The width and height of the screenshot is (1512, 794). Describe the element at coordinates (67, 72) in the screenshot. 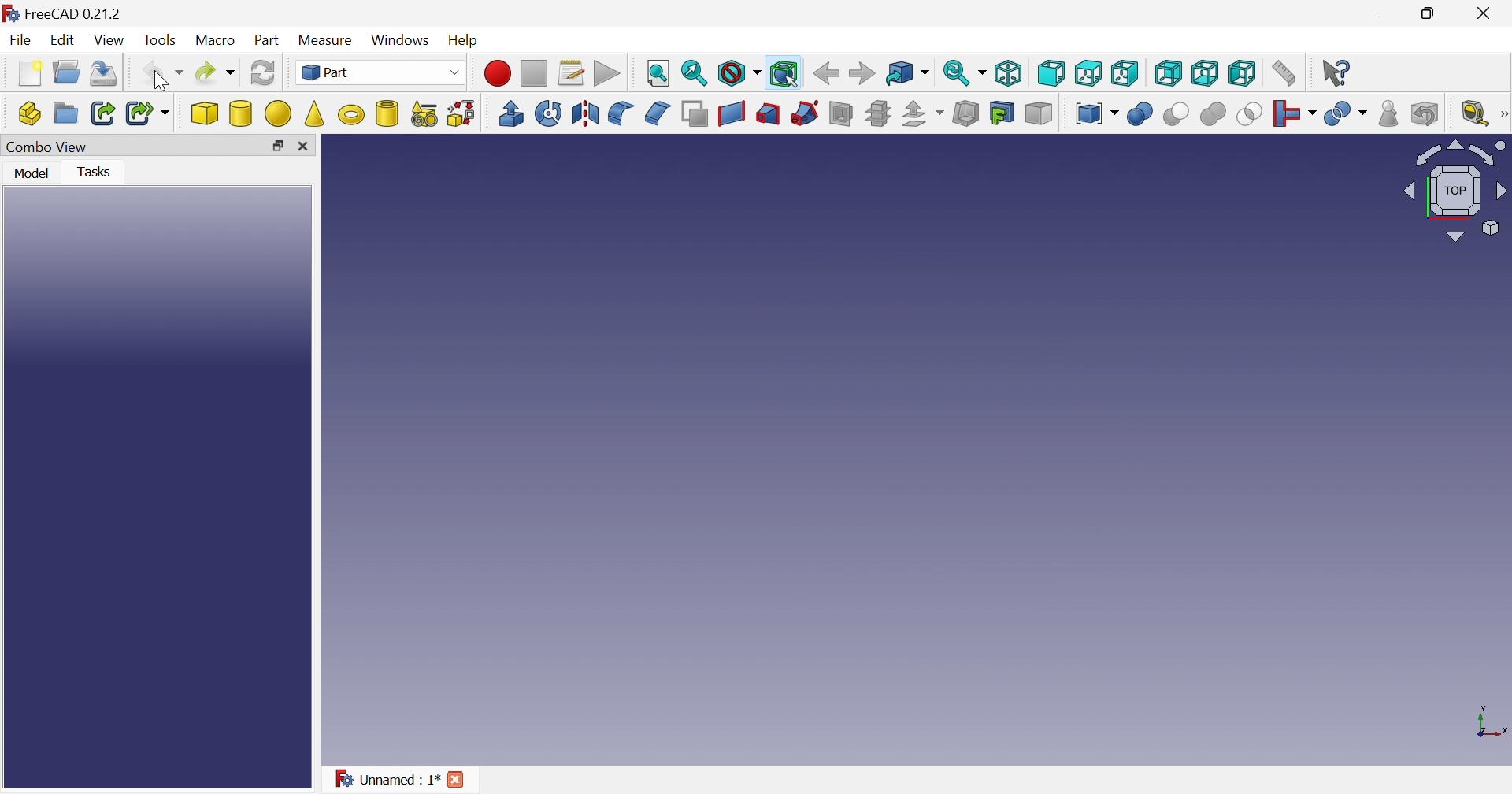

I see `Open` at that location.